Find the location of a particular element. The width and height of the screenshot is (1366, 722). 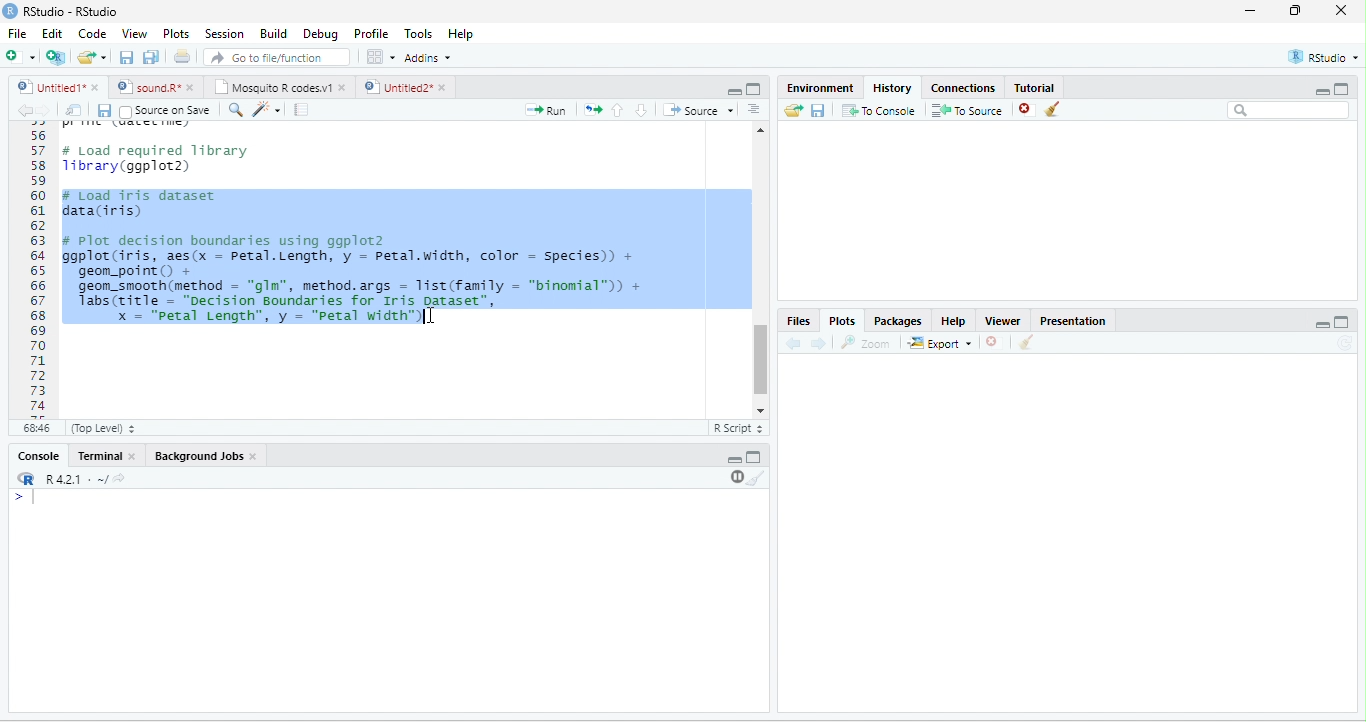

Plots is located at coordinates (176, 34).